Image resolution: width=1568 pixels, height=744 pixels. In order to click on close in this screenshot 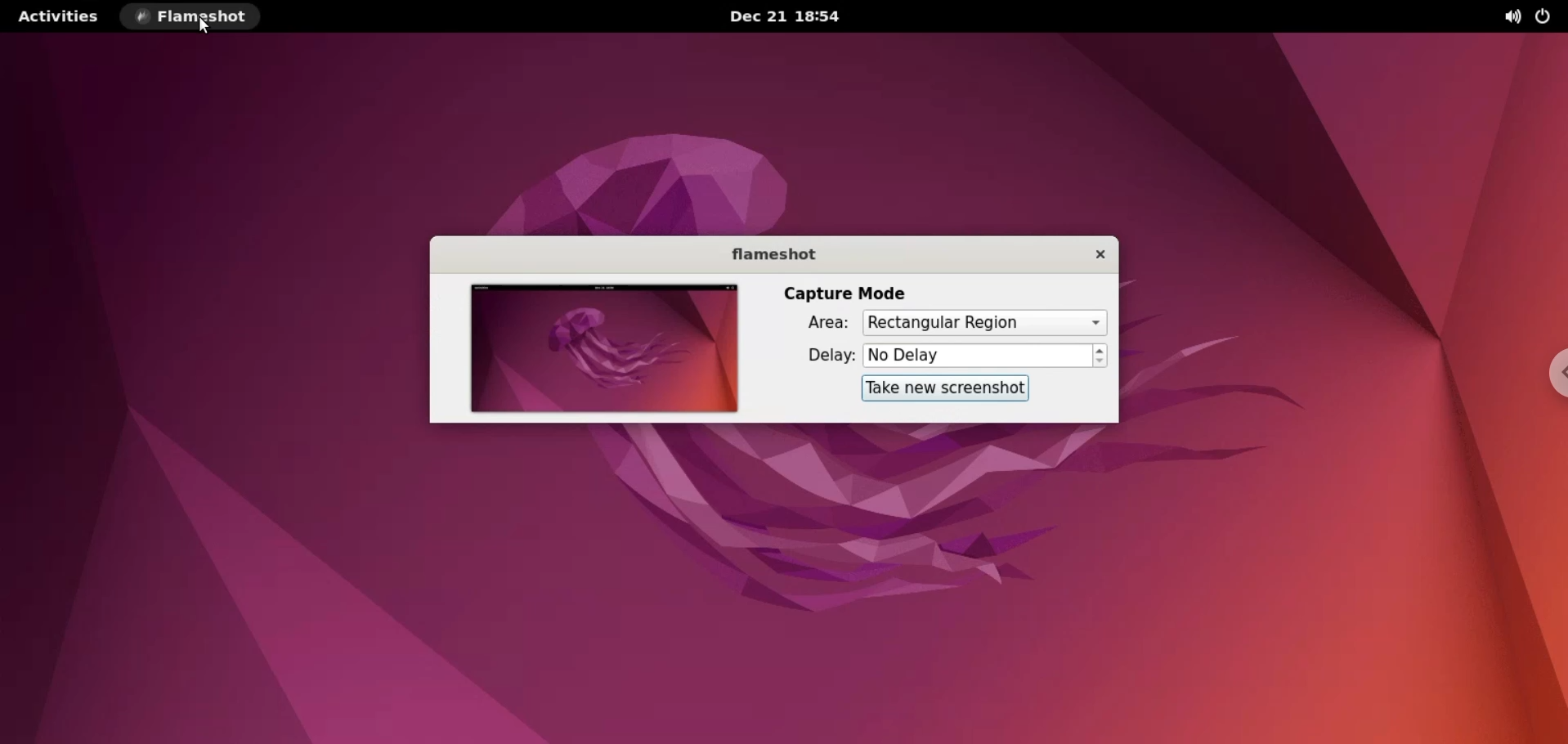, I will do `click(1094, 254)`.